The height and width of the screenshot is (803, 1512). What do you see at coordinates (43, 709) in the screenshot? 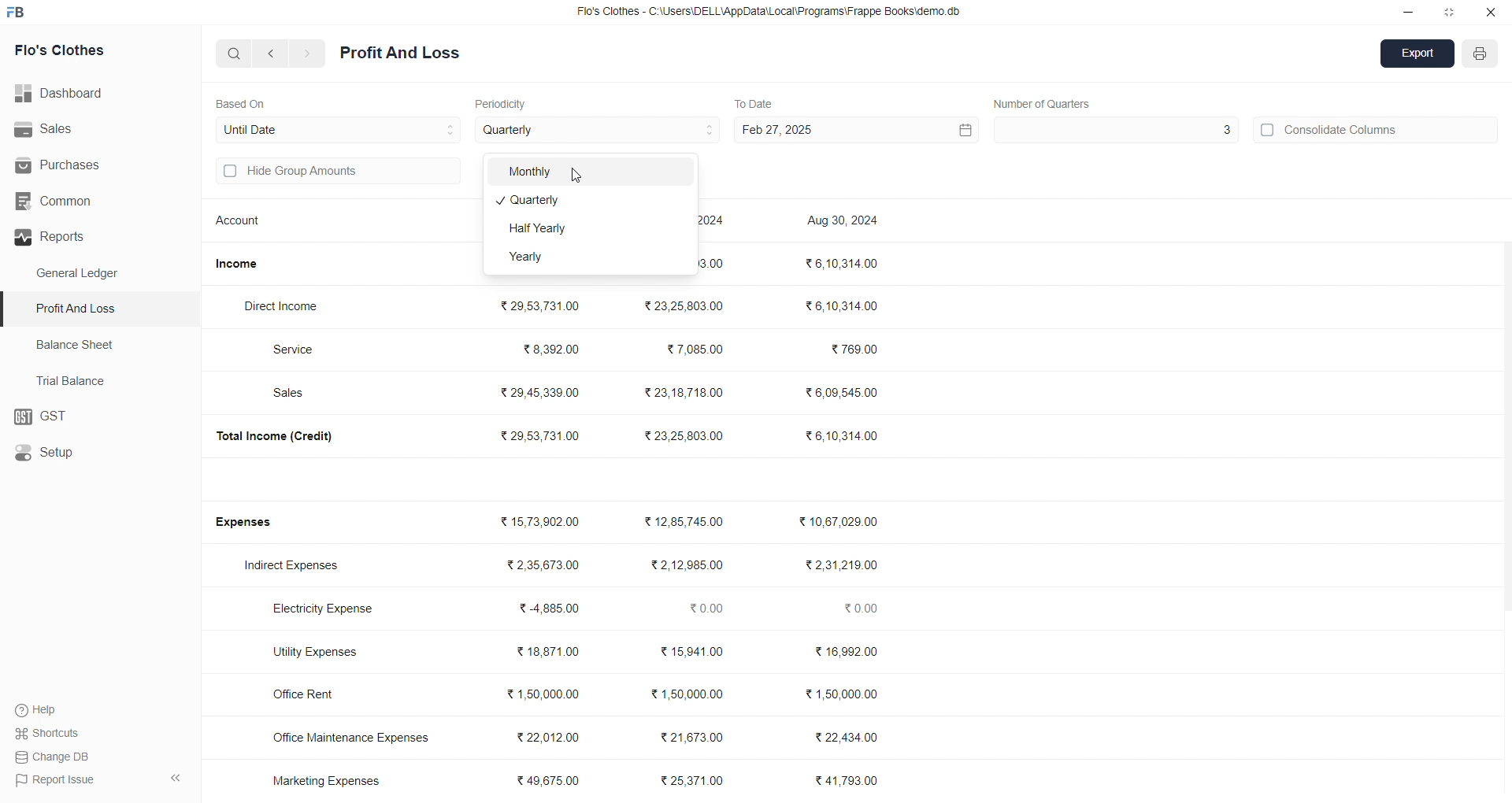
I see `Help` at bounding box center [43, 709].